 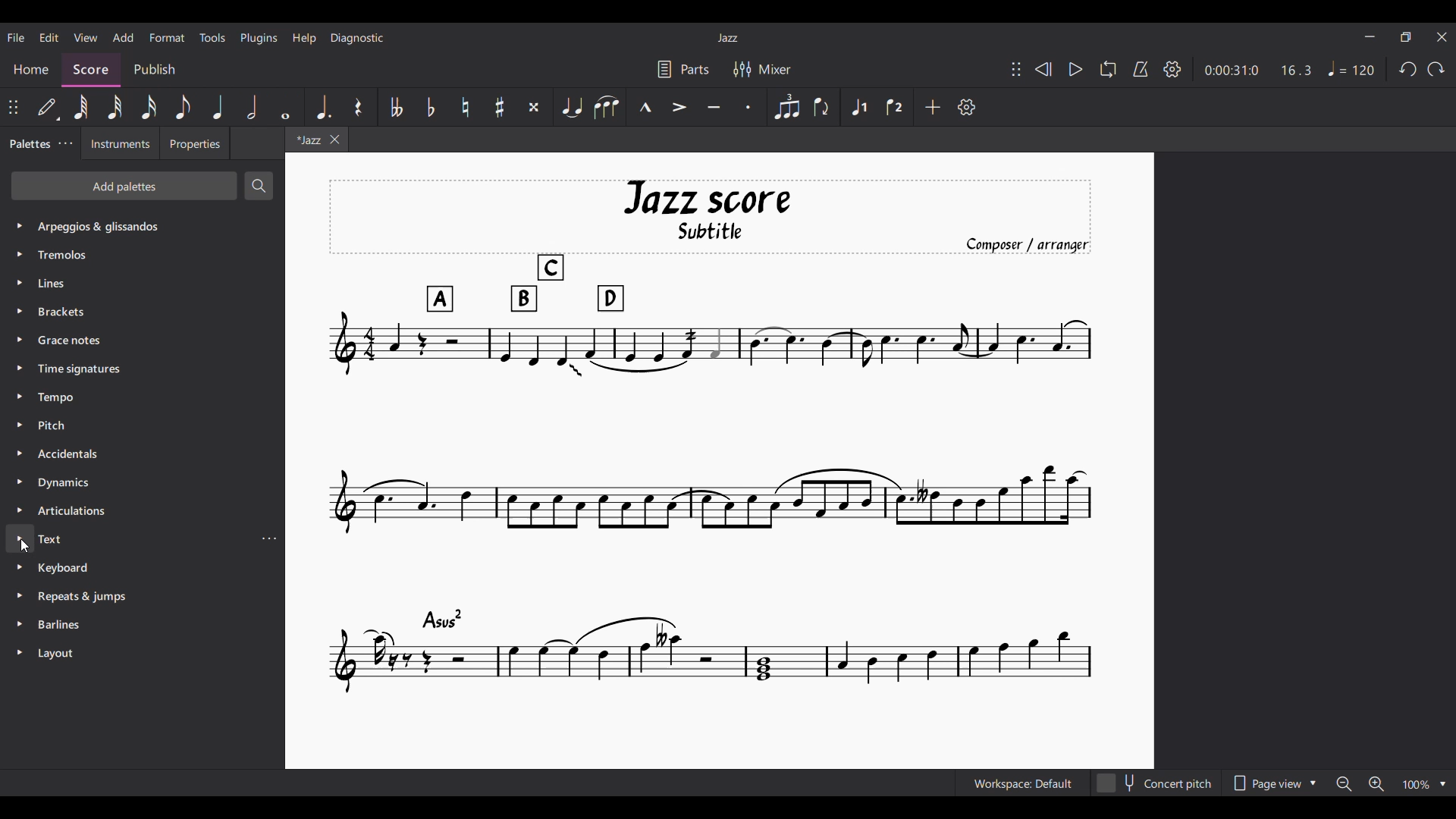 I want to click on , so click(x=55, y=285).